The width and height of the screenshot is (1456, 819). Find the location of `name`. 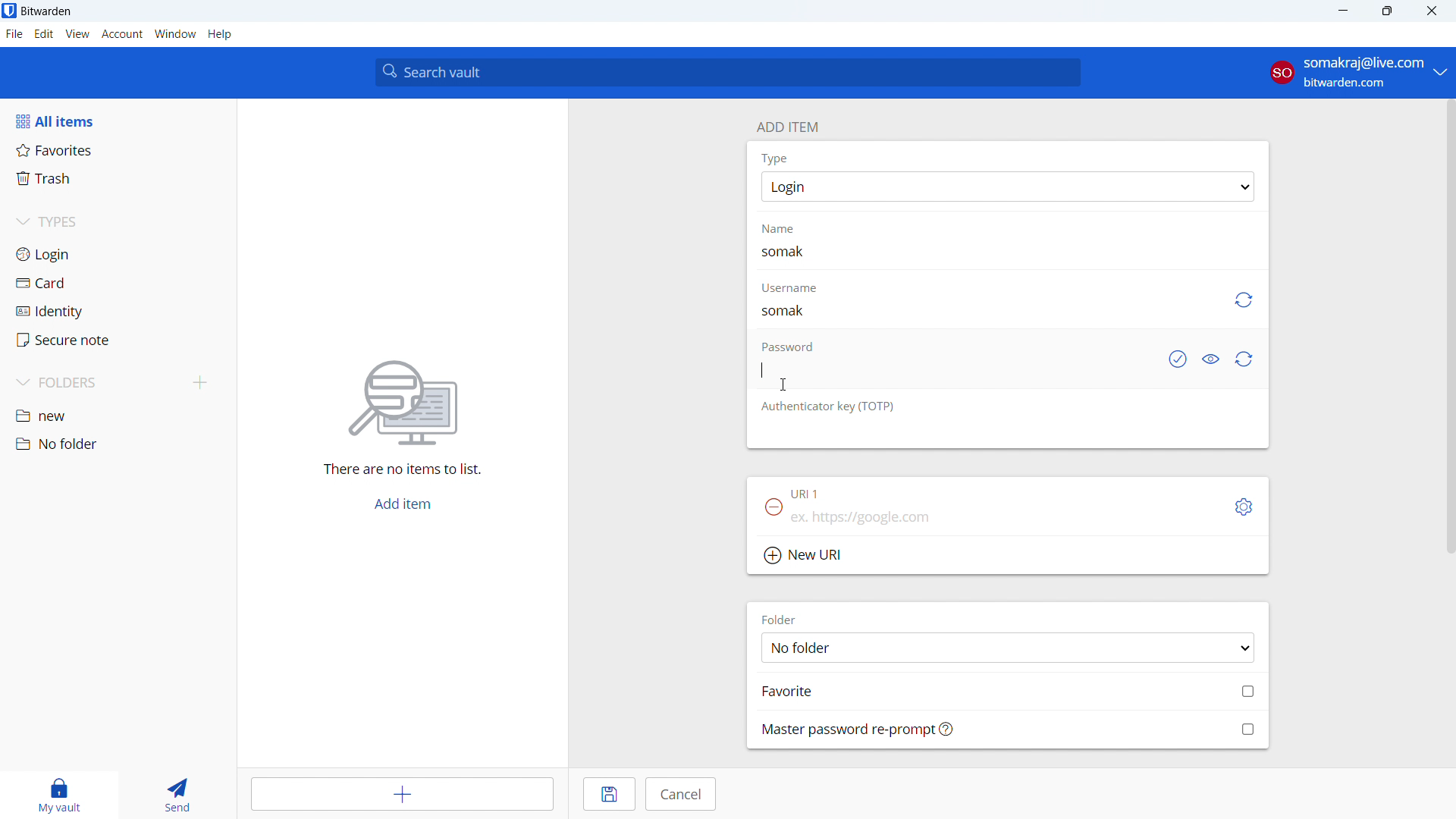

name is located at coordinates (788, 228).